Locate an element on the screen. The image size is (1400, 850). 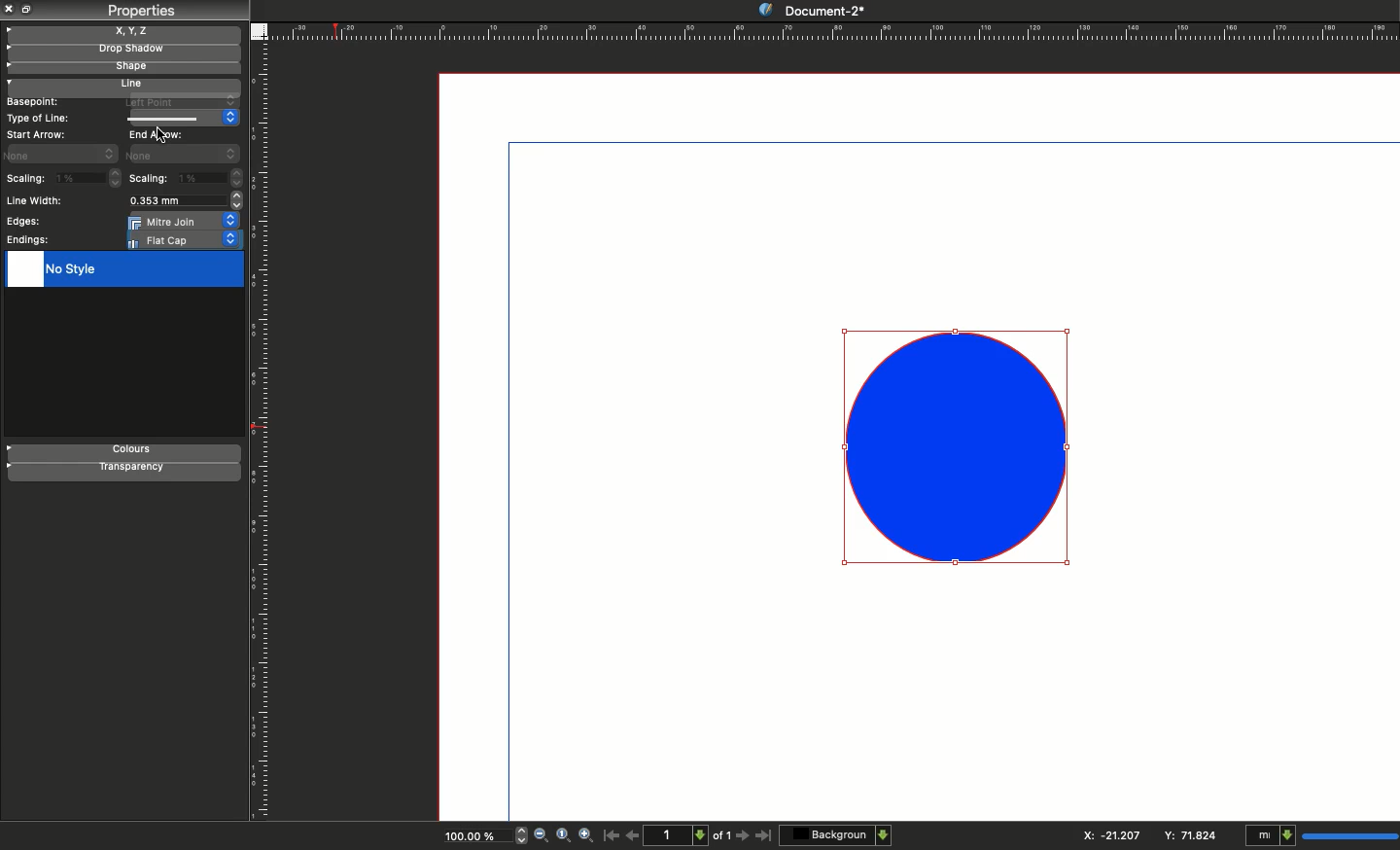
Shape is located at coordinates (960, 446).